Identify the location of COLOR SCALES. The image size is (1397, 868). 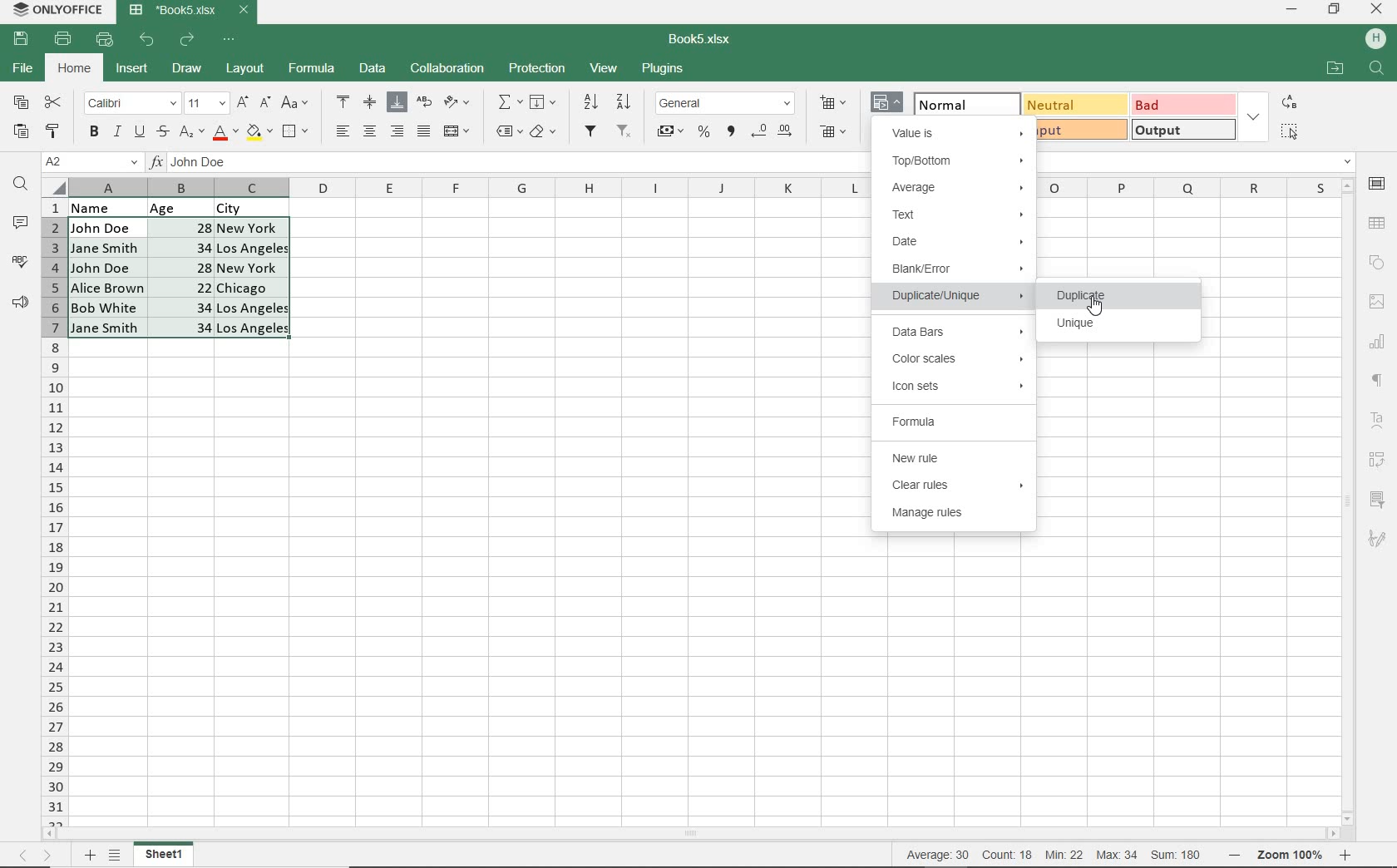
(958, 358).